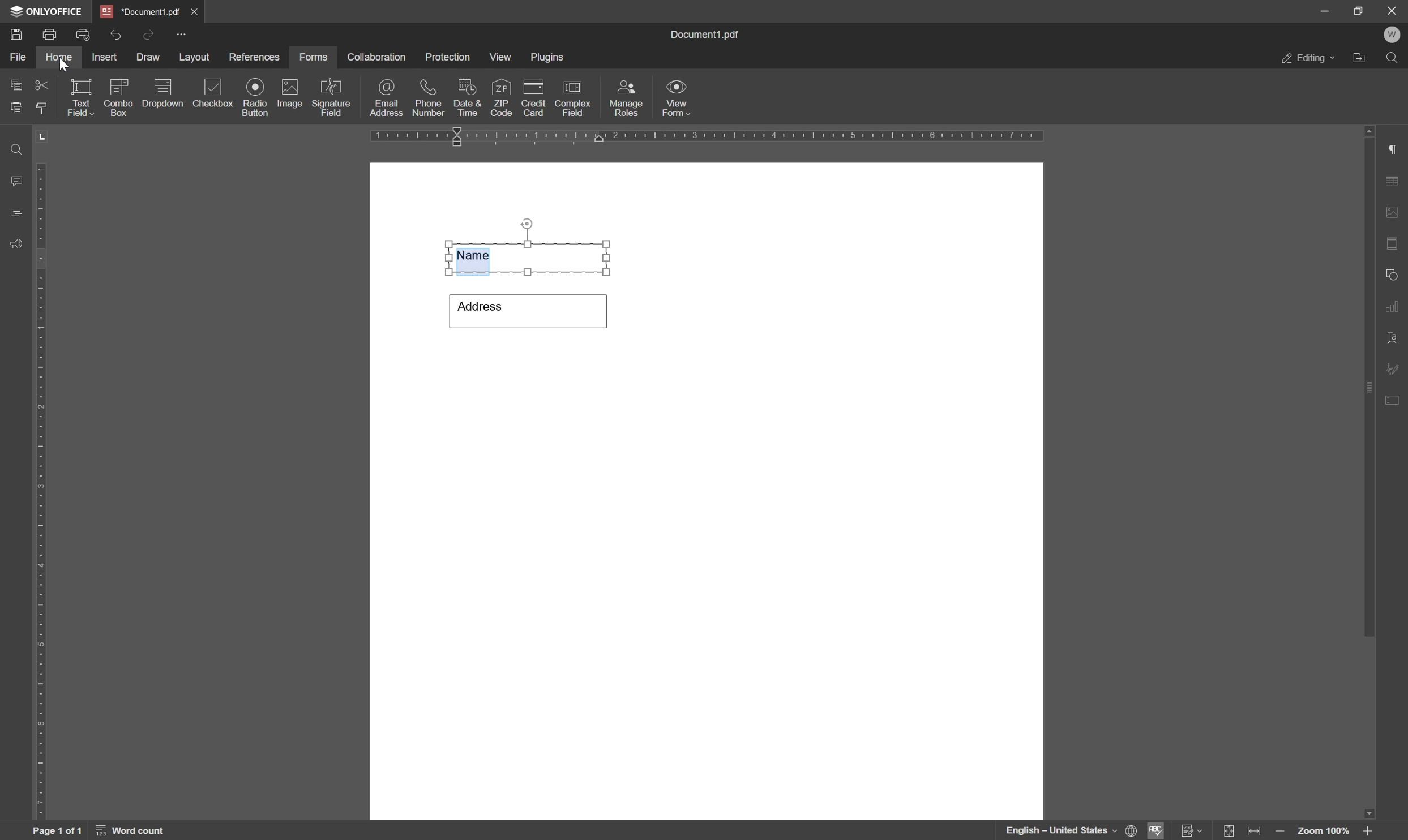 This screenshot has height=840, width=1408. I want to click on open file location, so click(1360, 59).